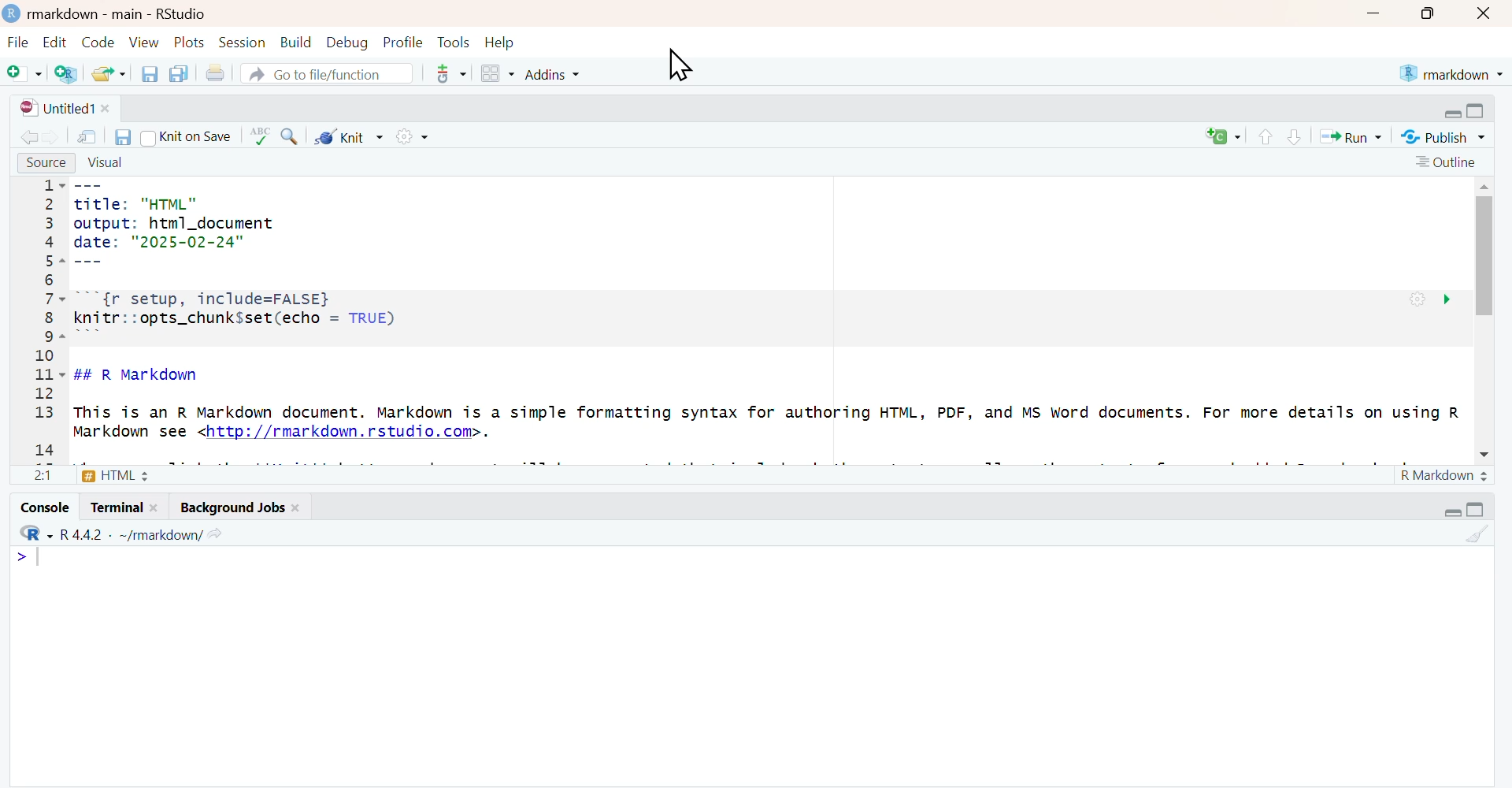 This screenshot has width=1512, height=788. I want to click on workspace panes, so click(496, 73).